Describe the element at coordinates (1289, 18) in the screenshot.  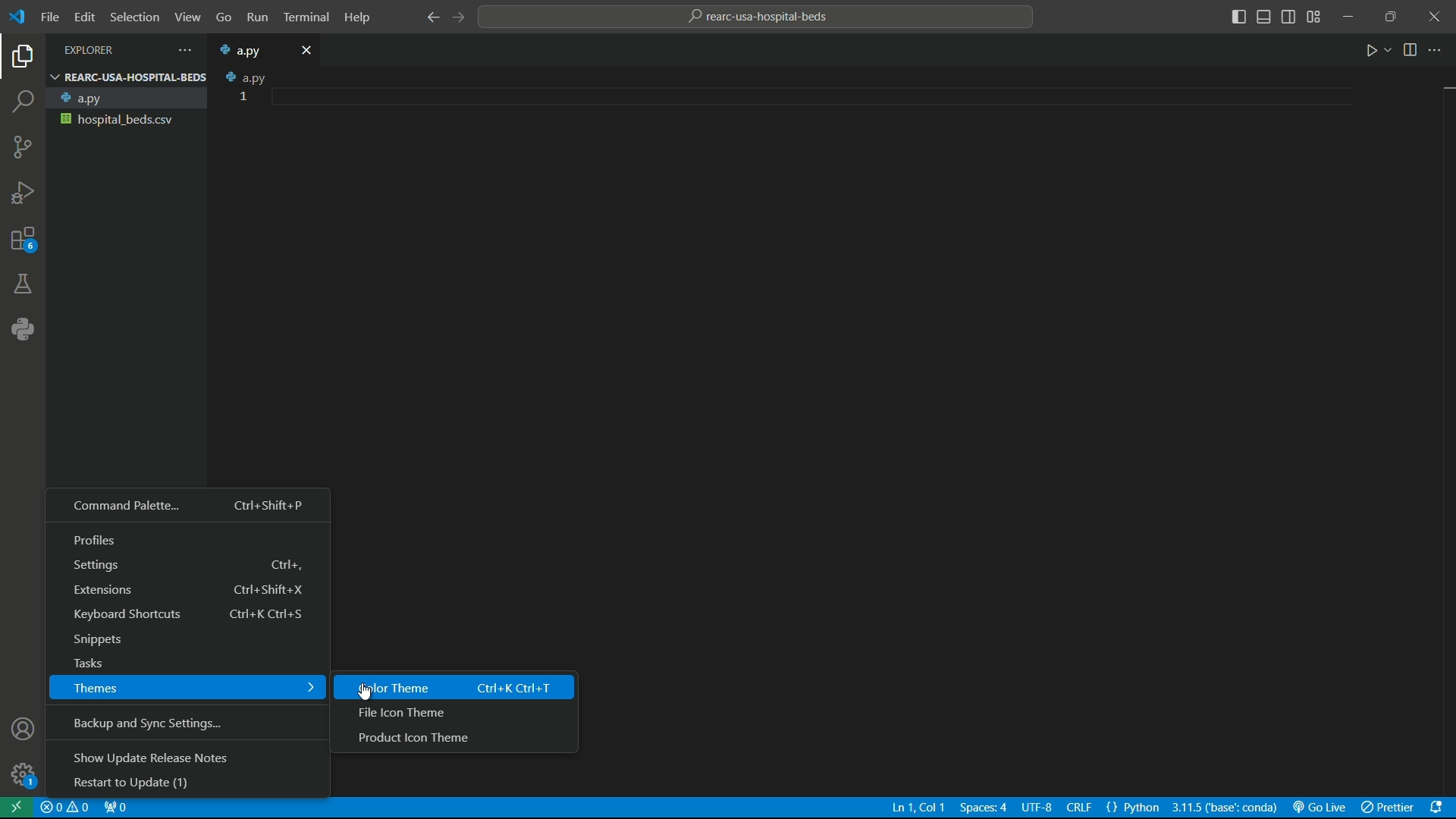
I see `toggle secondary sidebar` at that location.